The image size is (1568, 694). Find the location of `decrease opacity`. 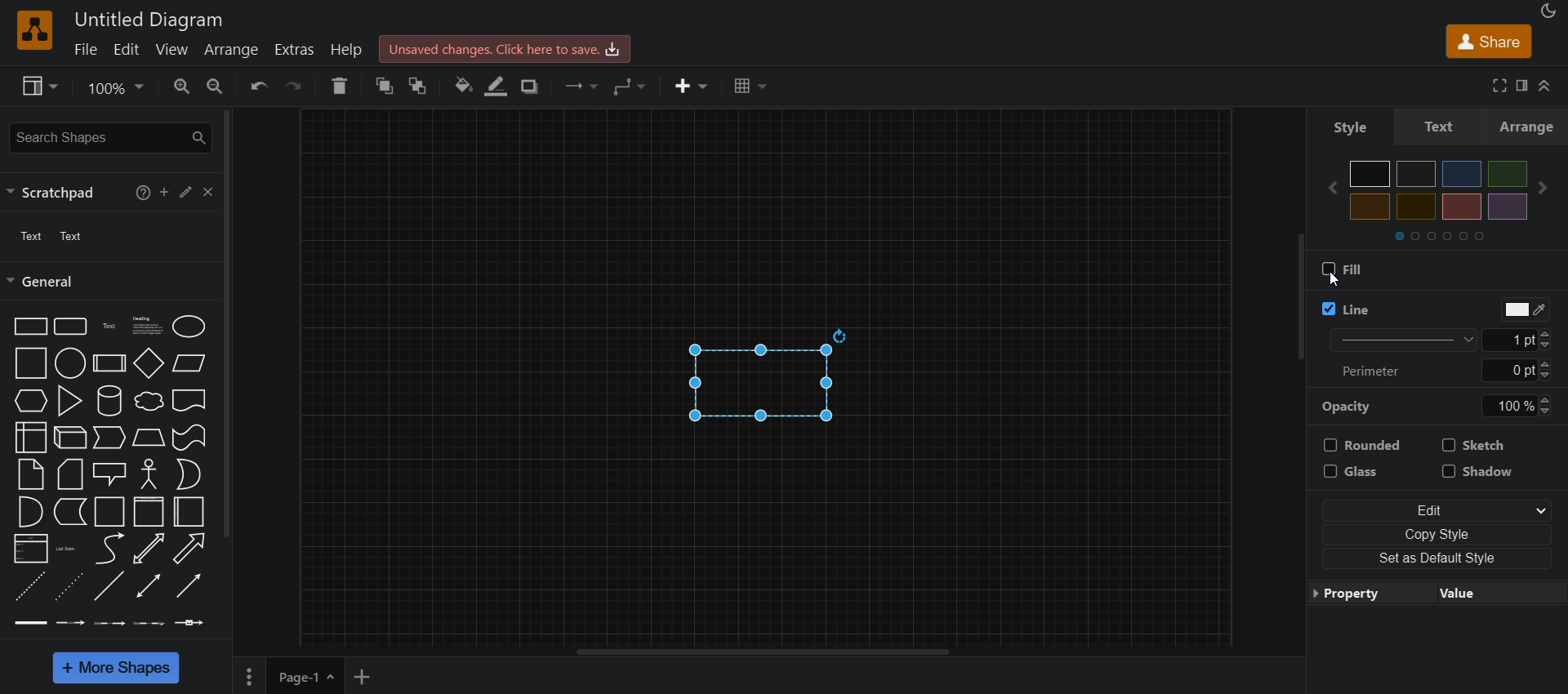

decrease opacity is located at coordinates (1547, 412).